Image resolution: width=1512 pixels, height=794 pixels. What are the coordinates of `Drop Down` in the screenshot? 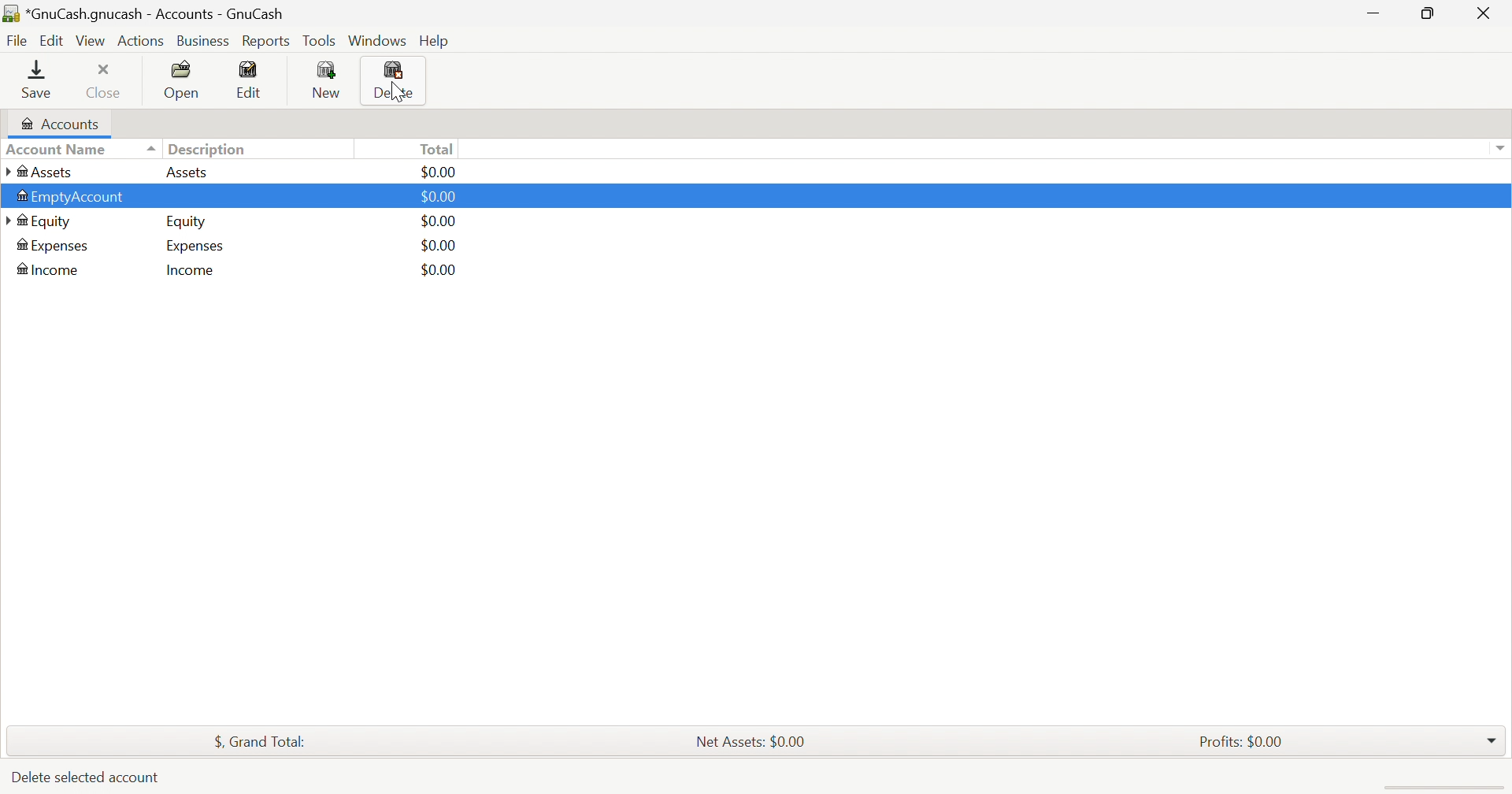 It's located at (1497, 147).